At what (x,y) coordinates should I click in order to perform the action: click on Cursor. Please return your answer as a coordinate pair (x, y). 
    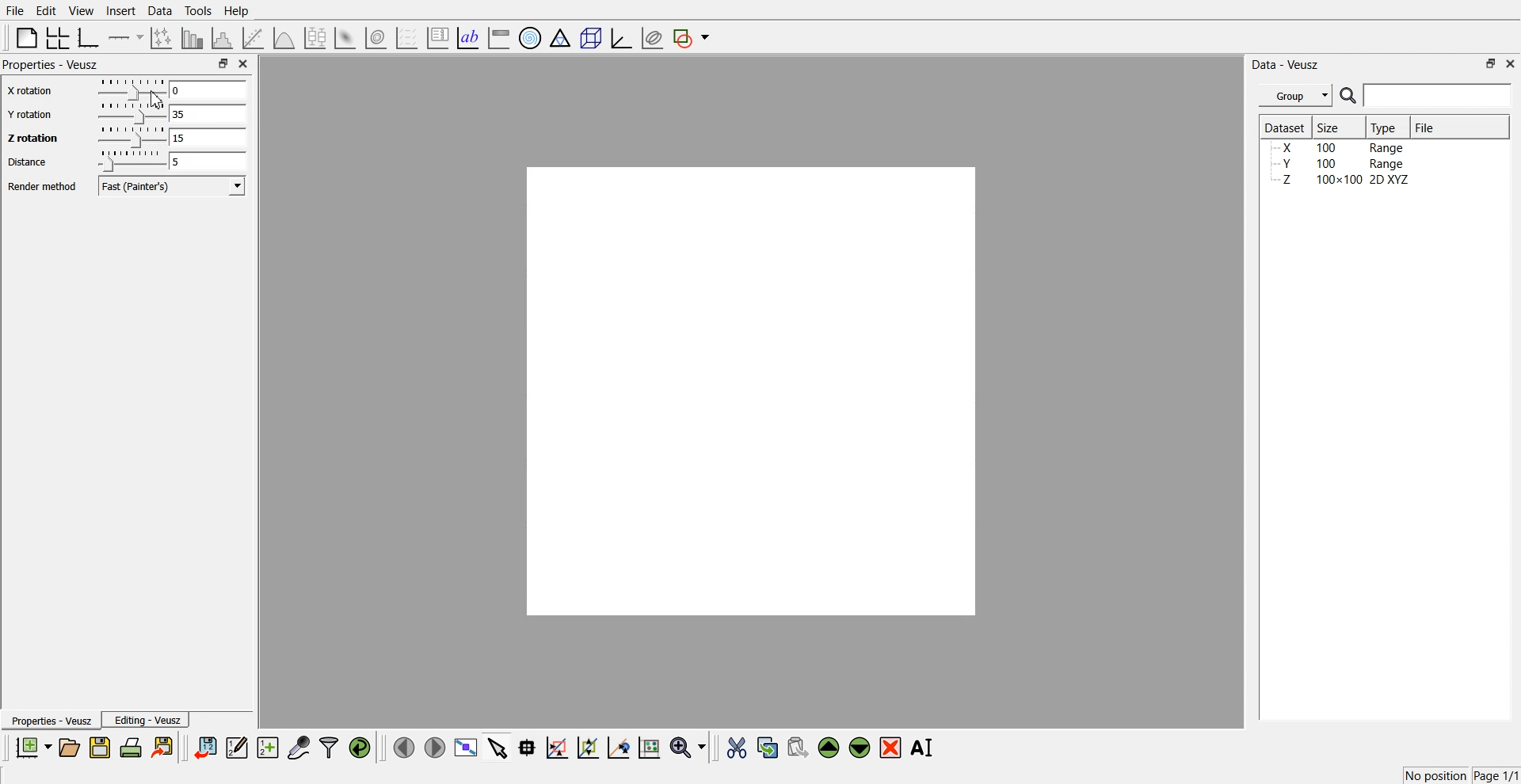
    Looking at the image, I should click on (157, 101).